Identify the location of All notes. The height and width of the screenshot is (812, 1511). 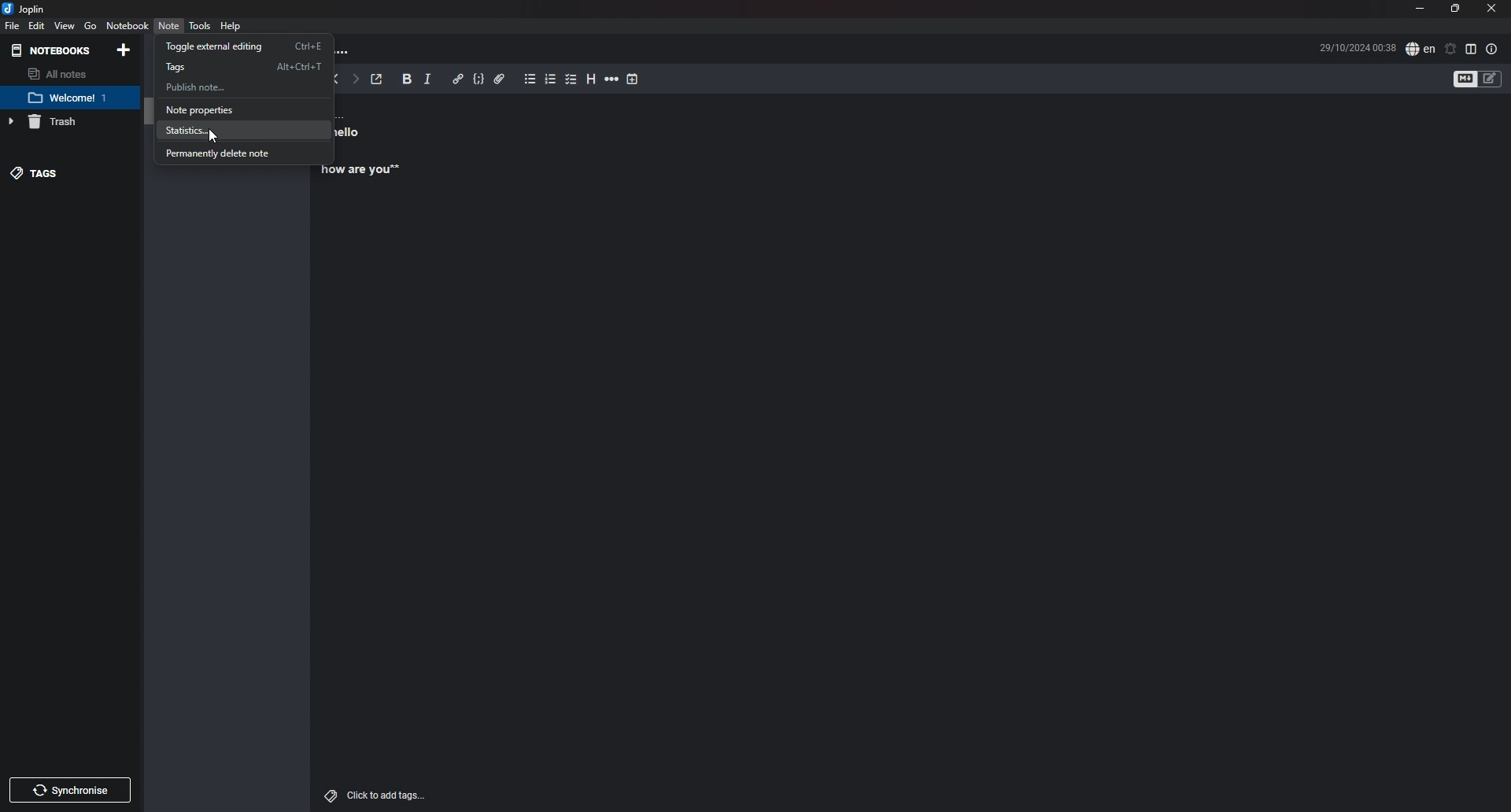
(62, 72).